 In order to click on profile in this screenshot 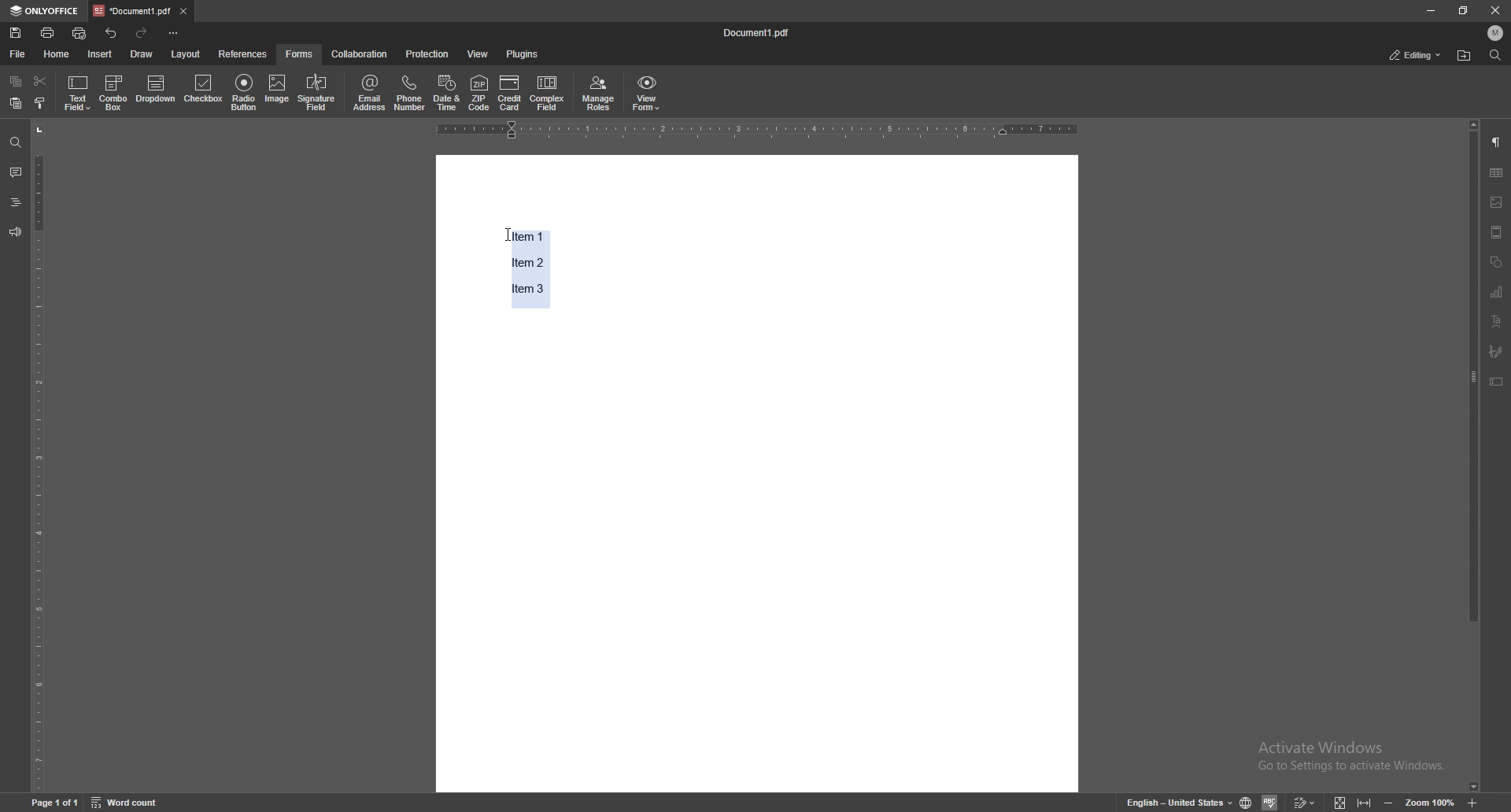, I will do `click(1494, 33)`.